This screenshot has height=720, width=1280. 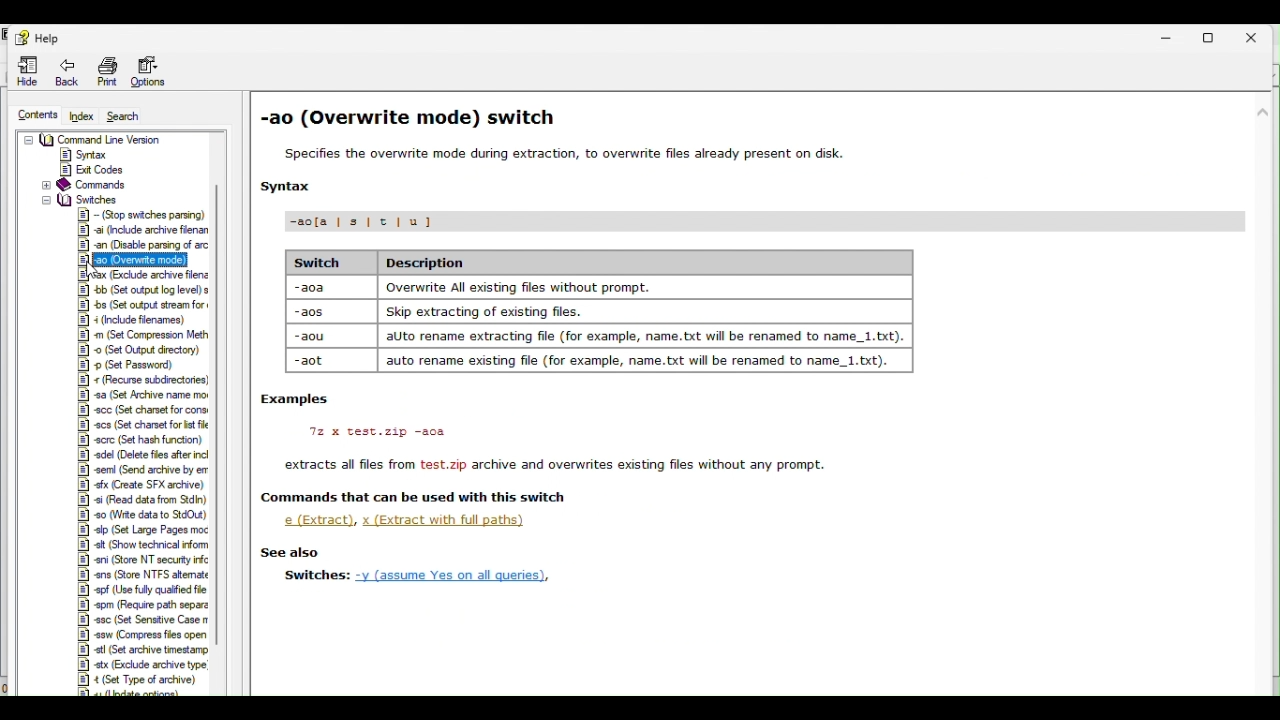 I want to click on §] +p (Set Large Pages moc, so click(x=141, y=529).